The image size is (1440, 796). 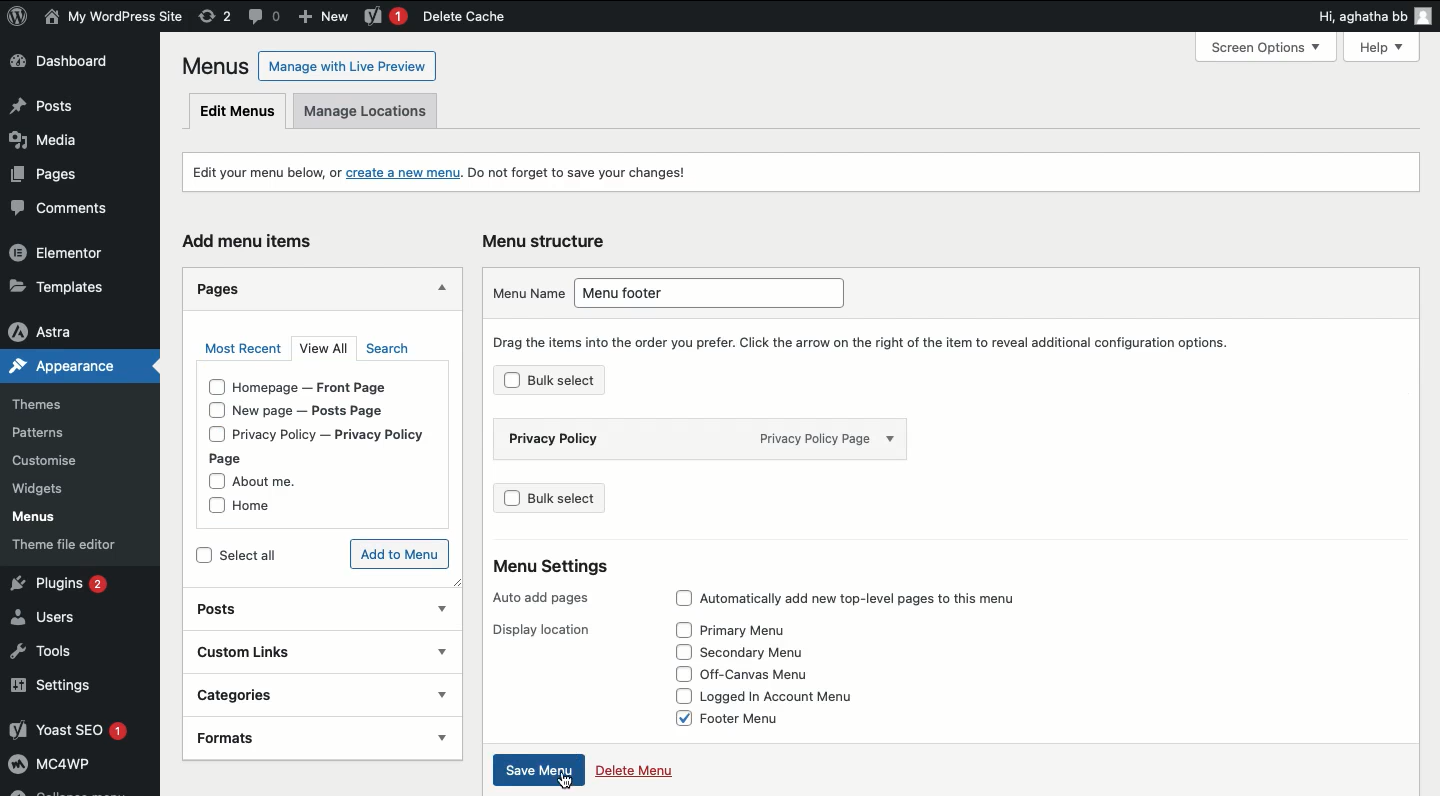 I want to click on Menu Settings, so click(x=539, y=563).